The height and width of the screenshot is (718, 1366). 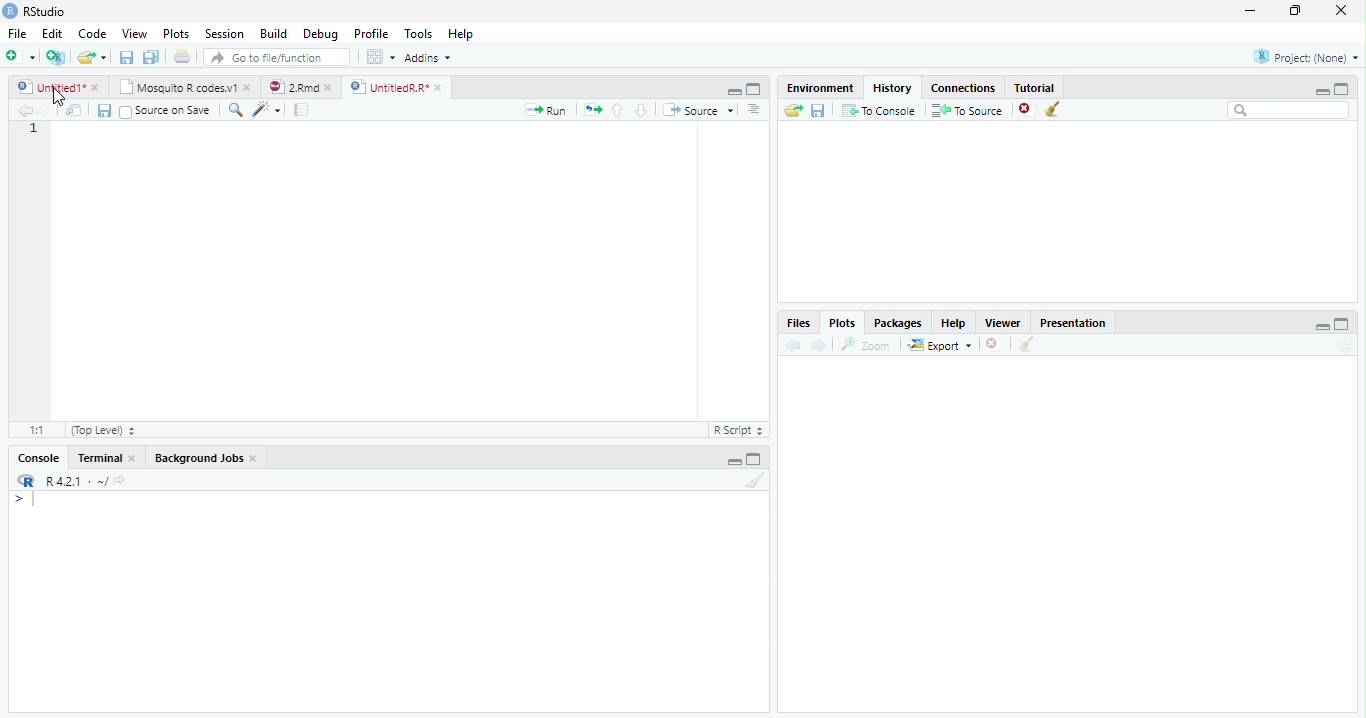 What do you see at coordinates (169, 111) in the screenshot?
I see `Source on save` at bounding box center [169, 111].